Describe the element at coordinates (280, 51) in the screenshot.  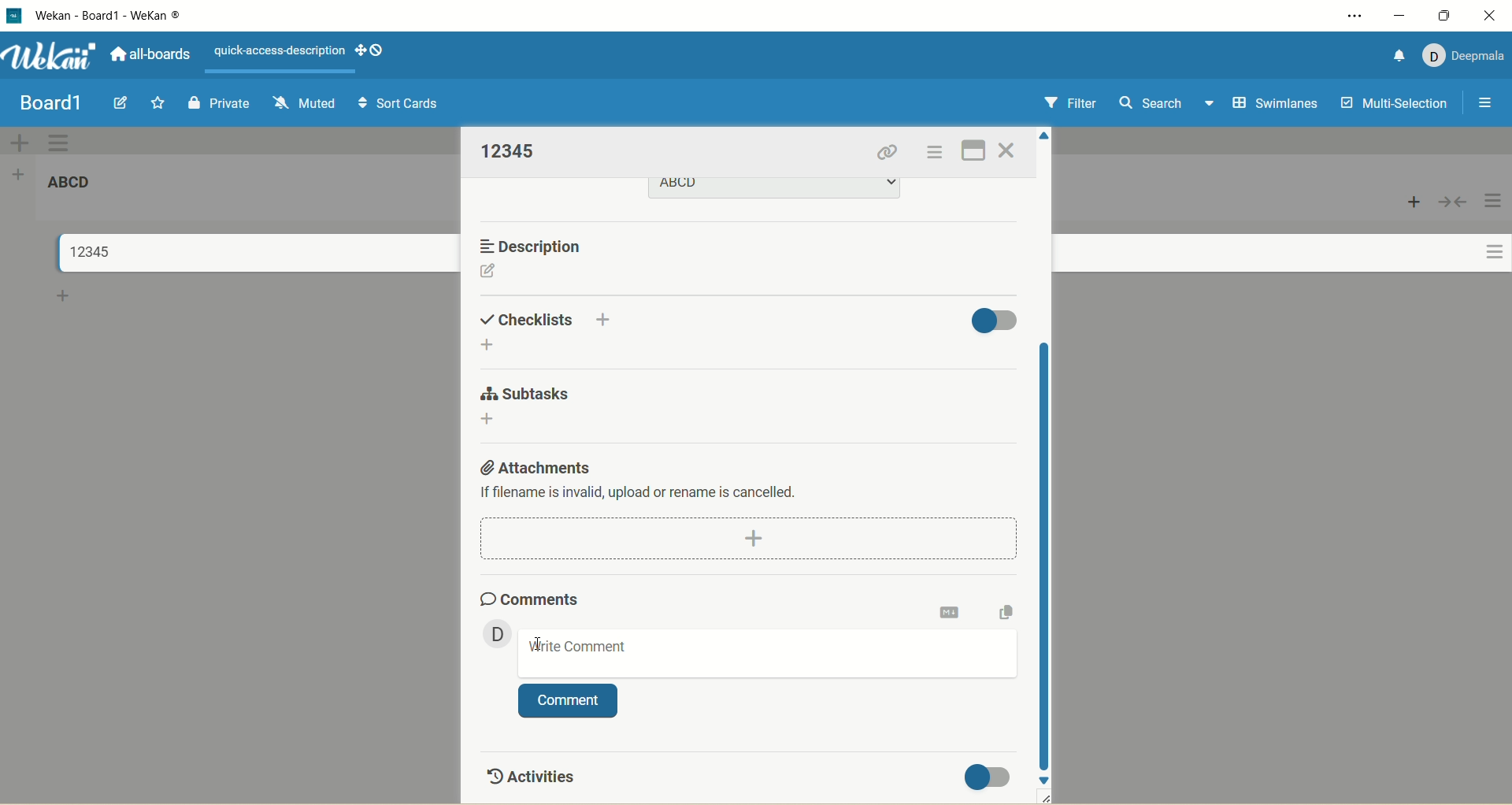
I see `text` at that location.